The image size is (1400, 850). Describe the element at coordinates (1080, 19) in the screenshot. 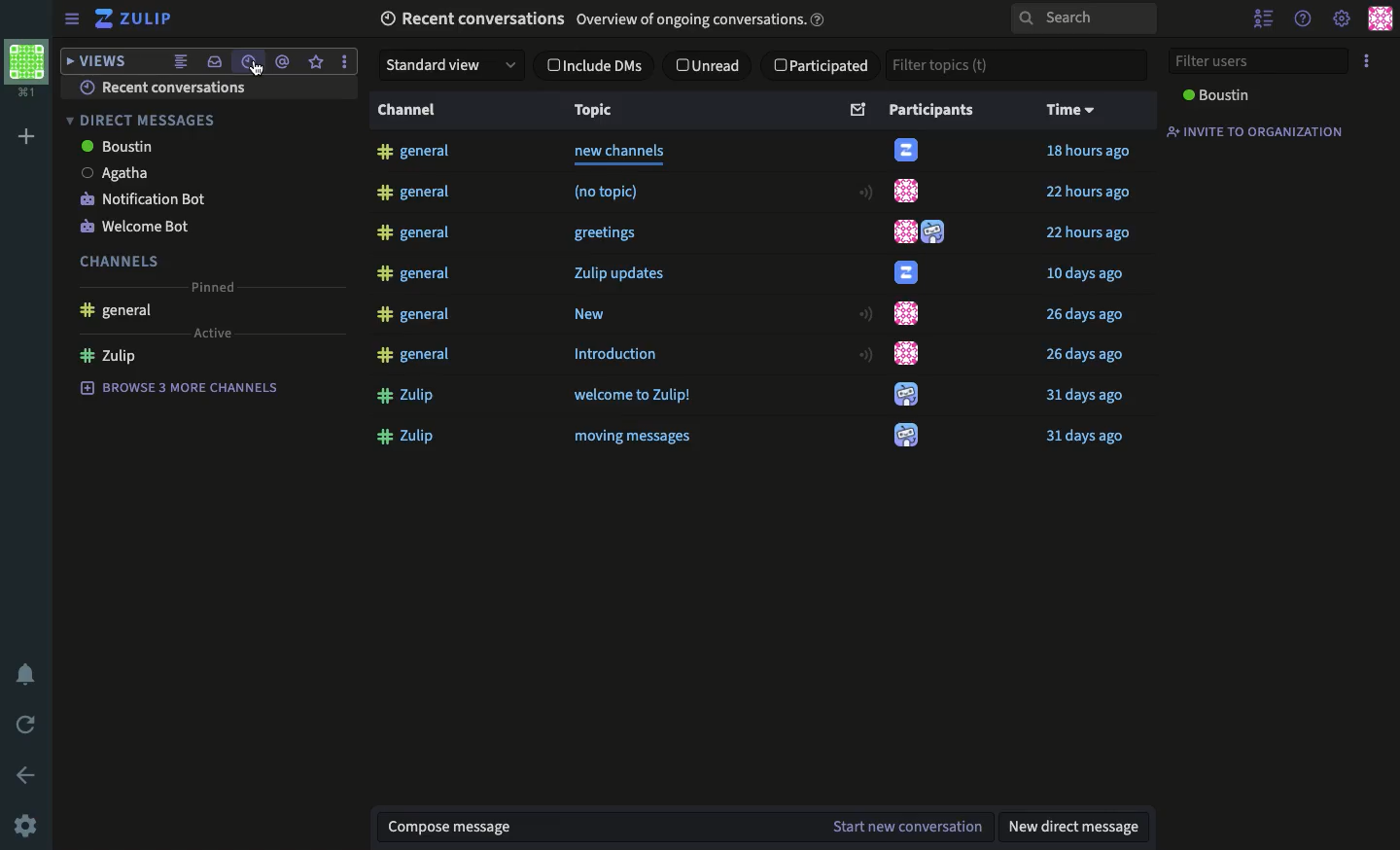

I see `search` at that location.